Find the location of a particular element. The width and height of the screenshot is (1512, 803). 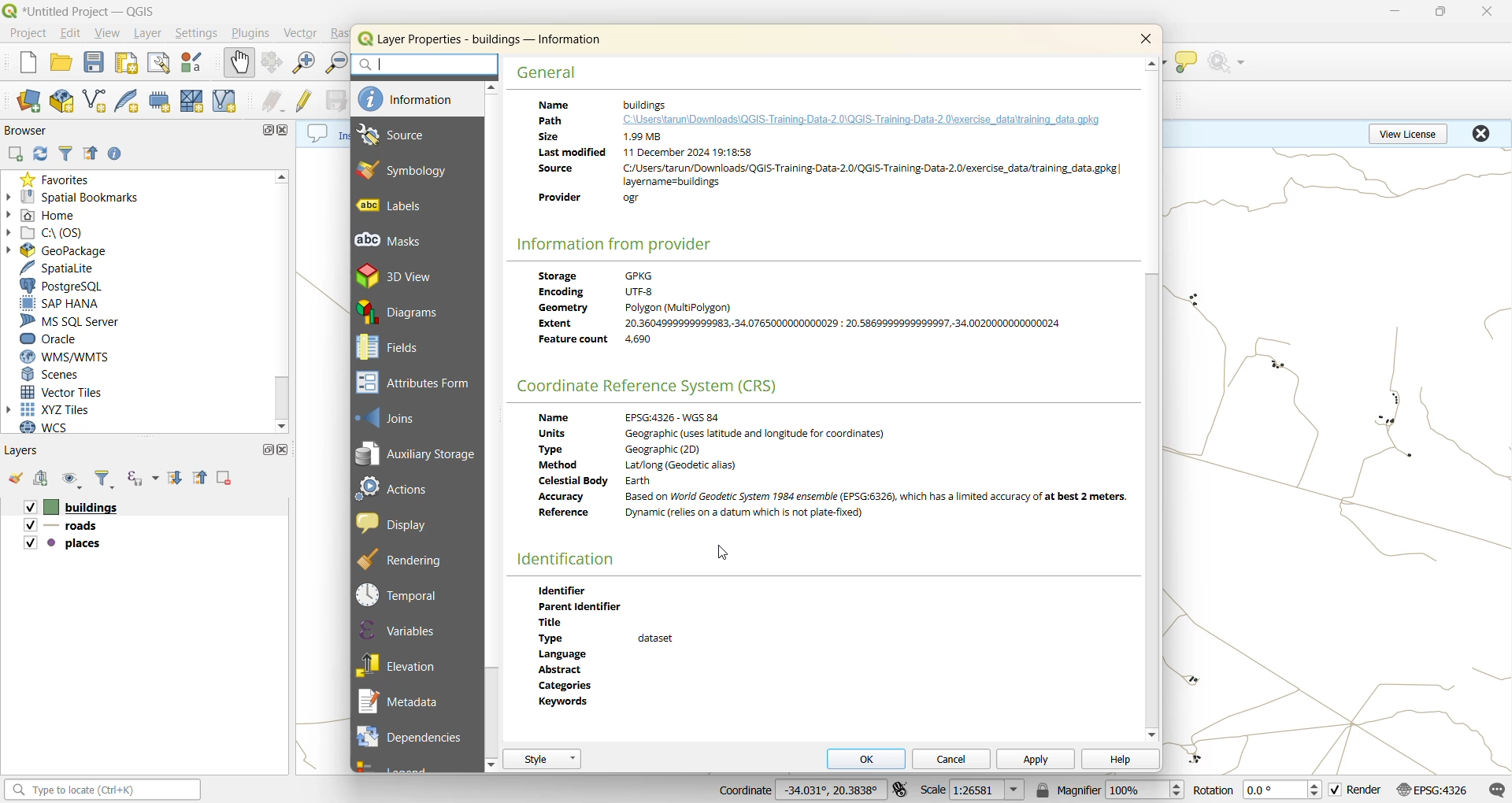

information from provide is located at coordinates (624, 244).